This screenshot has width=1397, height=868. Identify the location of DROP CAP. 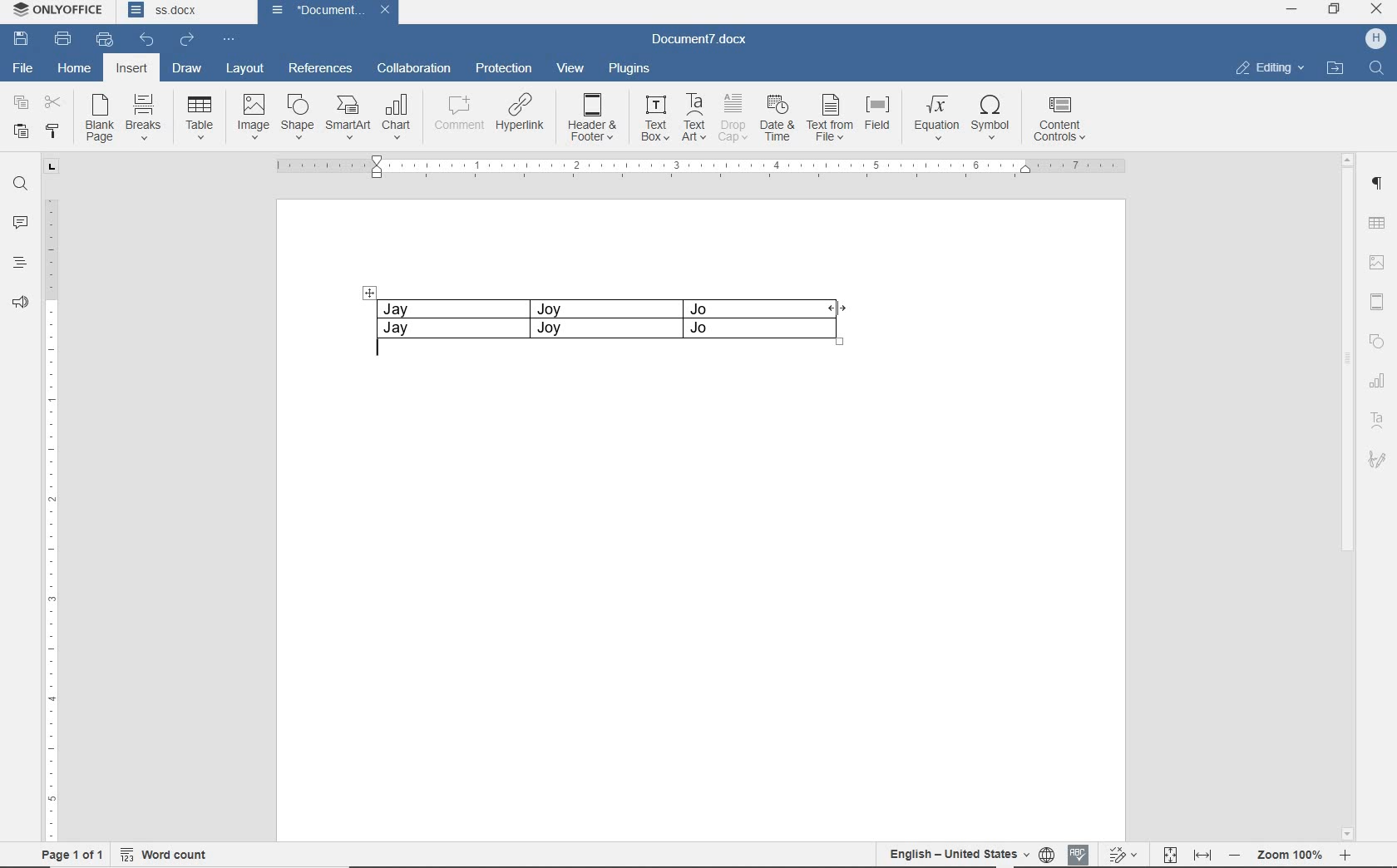
(732, 116).